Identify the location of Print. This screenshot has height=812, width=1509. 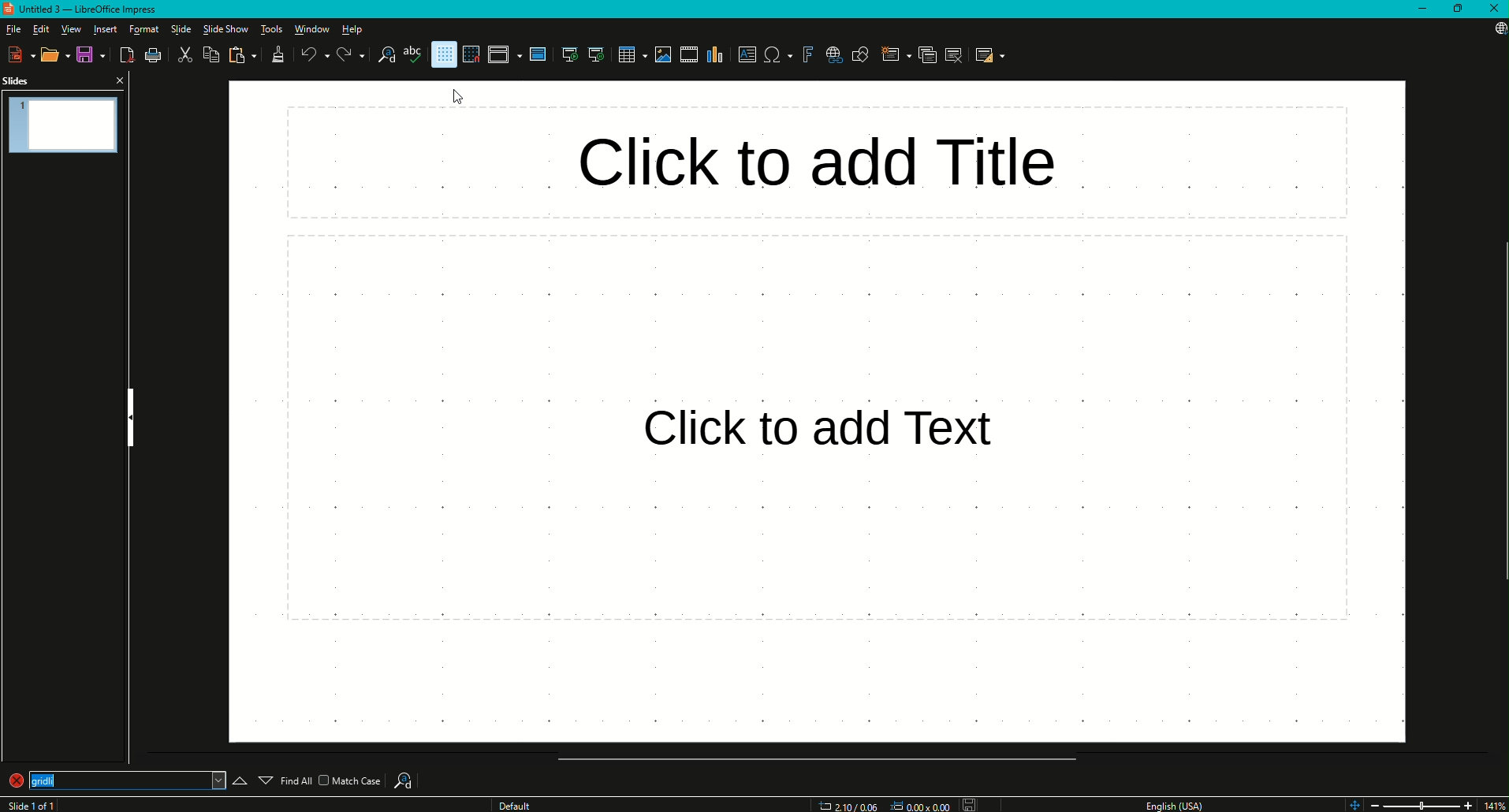
(157, 54).